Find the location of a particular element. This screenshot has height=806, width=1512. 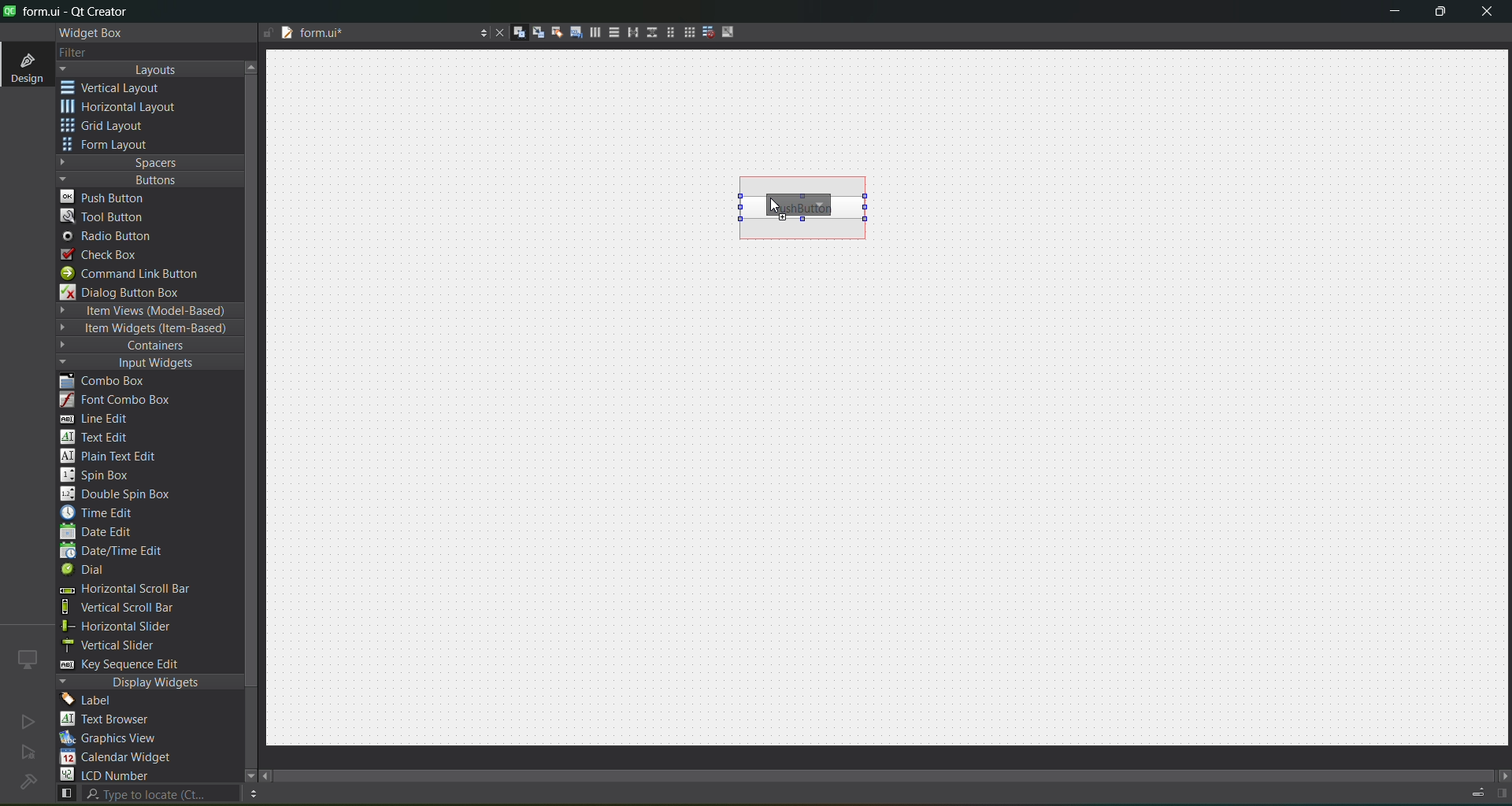

cursor is located at coordinates (773, 205).